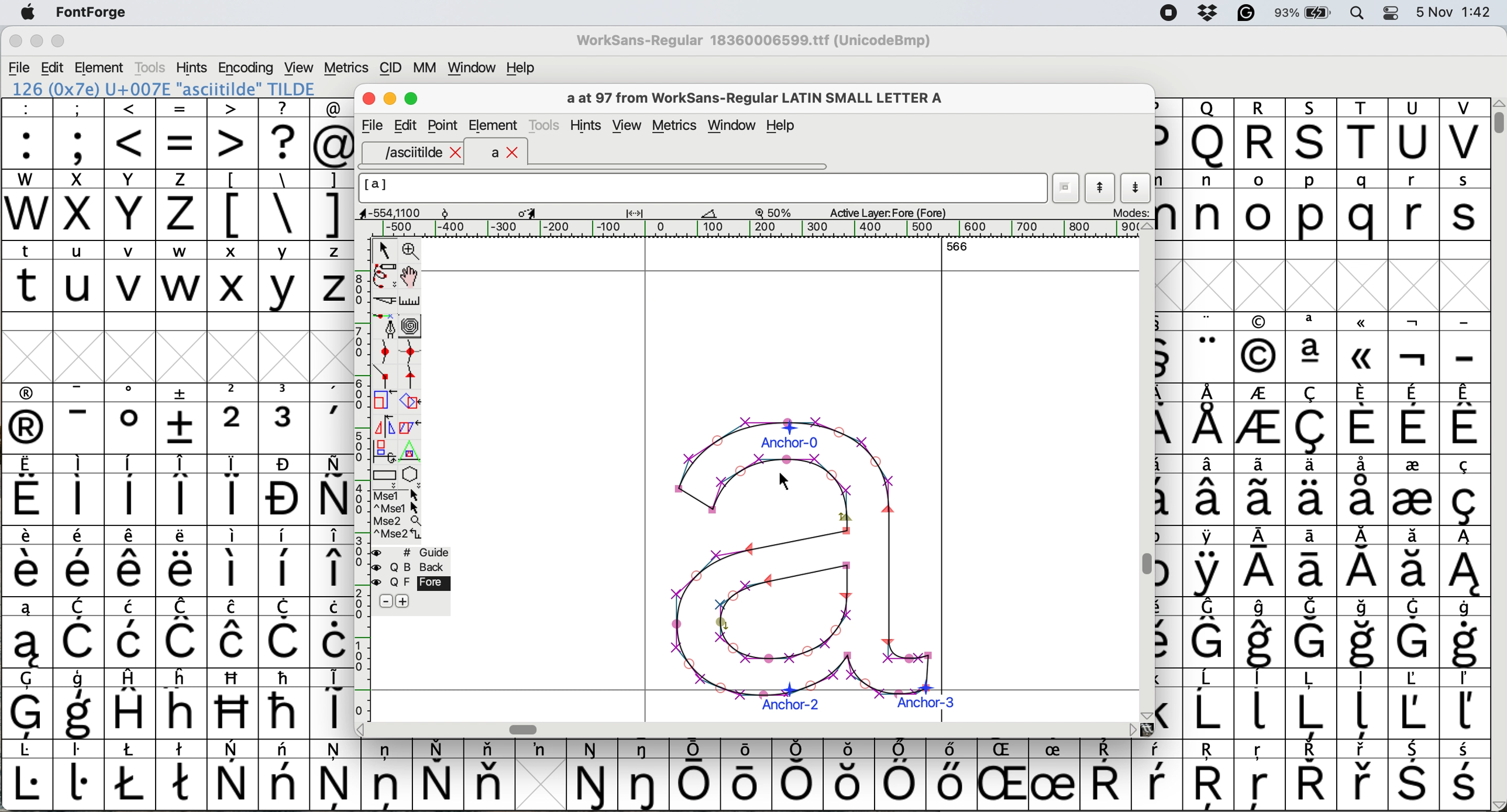 This screenshot has width=1507, height=812. Describe the element at coordinates (297, 66) in the screenshot. I see `view` at that location.